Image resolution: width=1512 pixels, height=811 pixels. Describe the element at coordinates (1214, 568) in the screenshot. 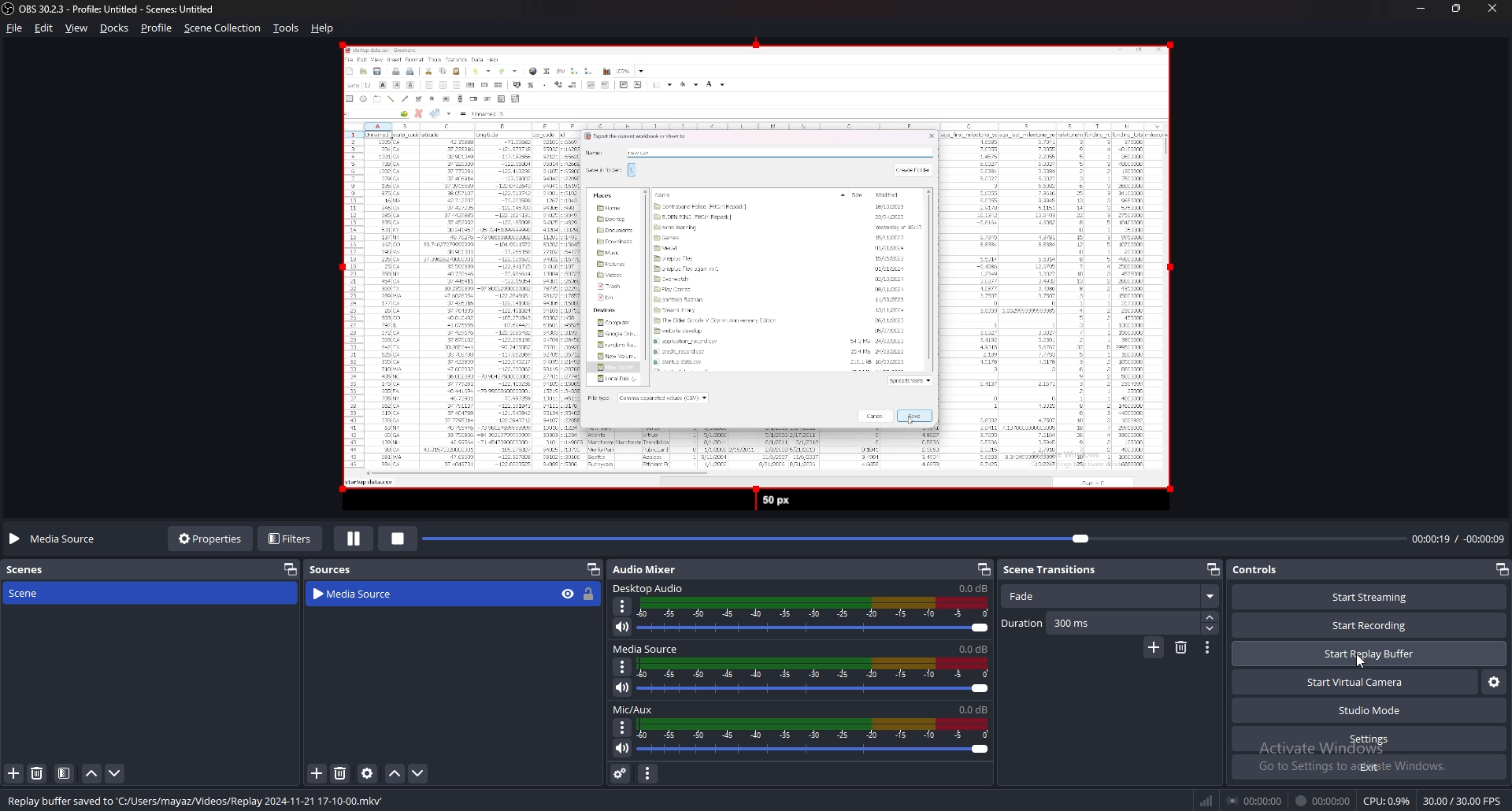

I see `pop out` at that location.